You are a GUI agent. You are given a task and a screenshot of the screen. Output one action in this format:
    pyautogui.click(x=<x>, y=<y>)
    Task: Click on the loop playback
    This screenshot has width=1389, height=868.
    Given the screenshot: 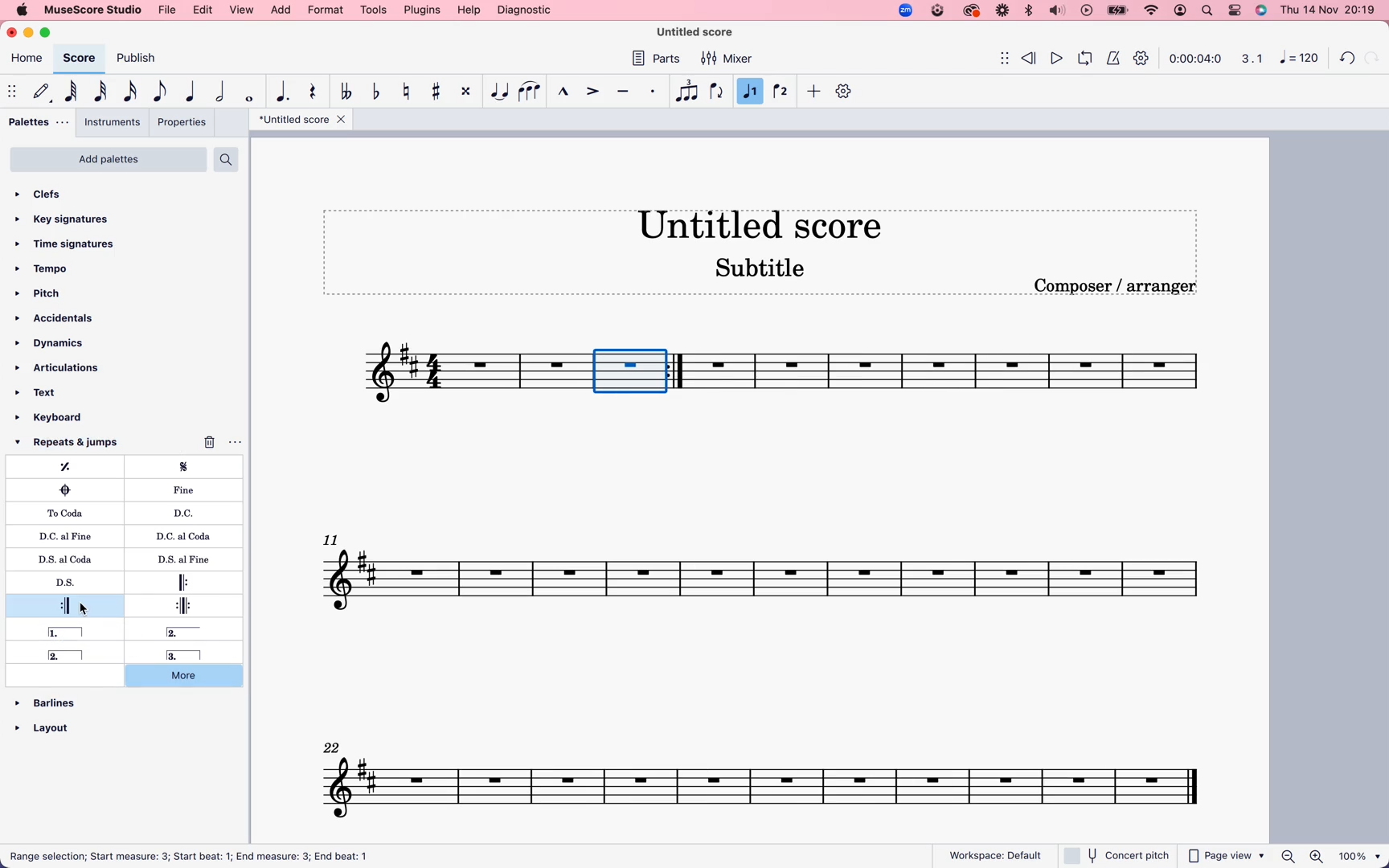 What is the action you would take?
    pyautogui.click(x=1084, y=56)
    